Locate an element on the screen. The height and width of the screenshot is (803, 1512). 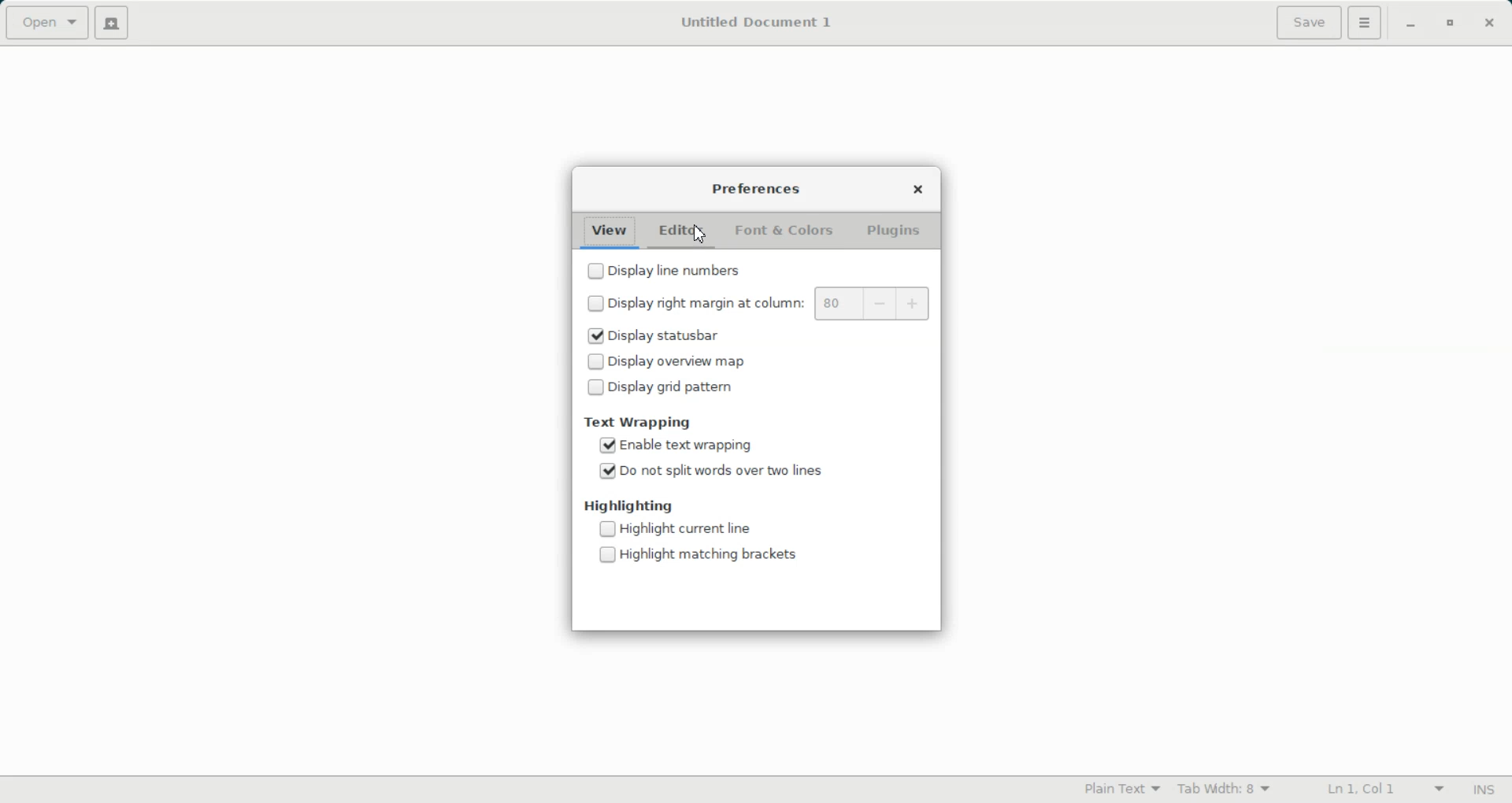
Editor is located at coordinates (682, 232).